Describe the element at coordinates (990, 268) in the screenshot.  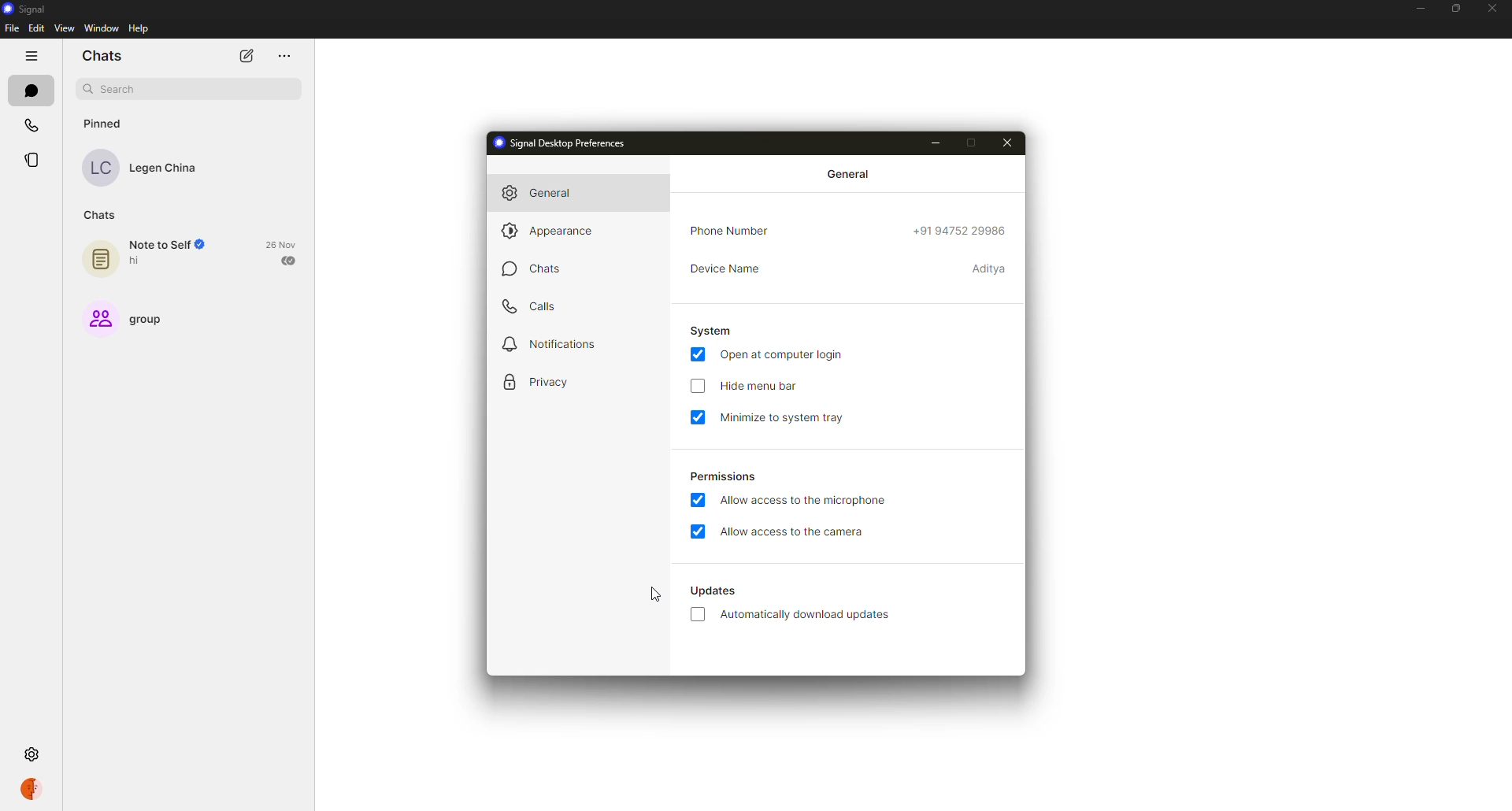
I see `device name` at that location.